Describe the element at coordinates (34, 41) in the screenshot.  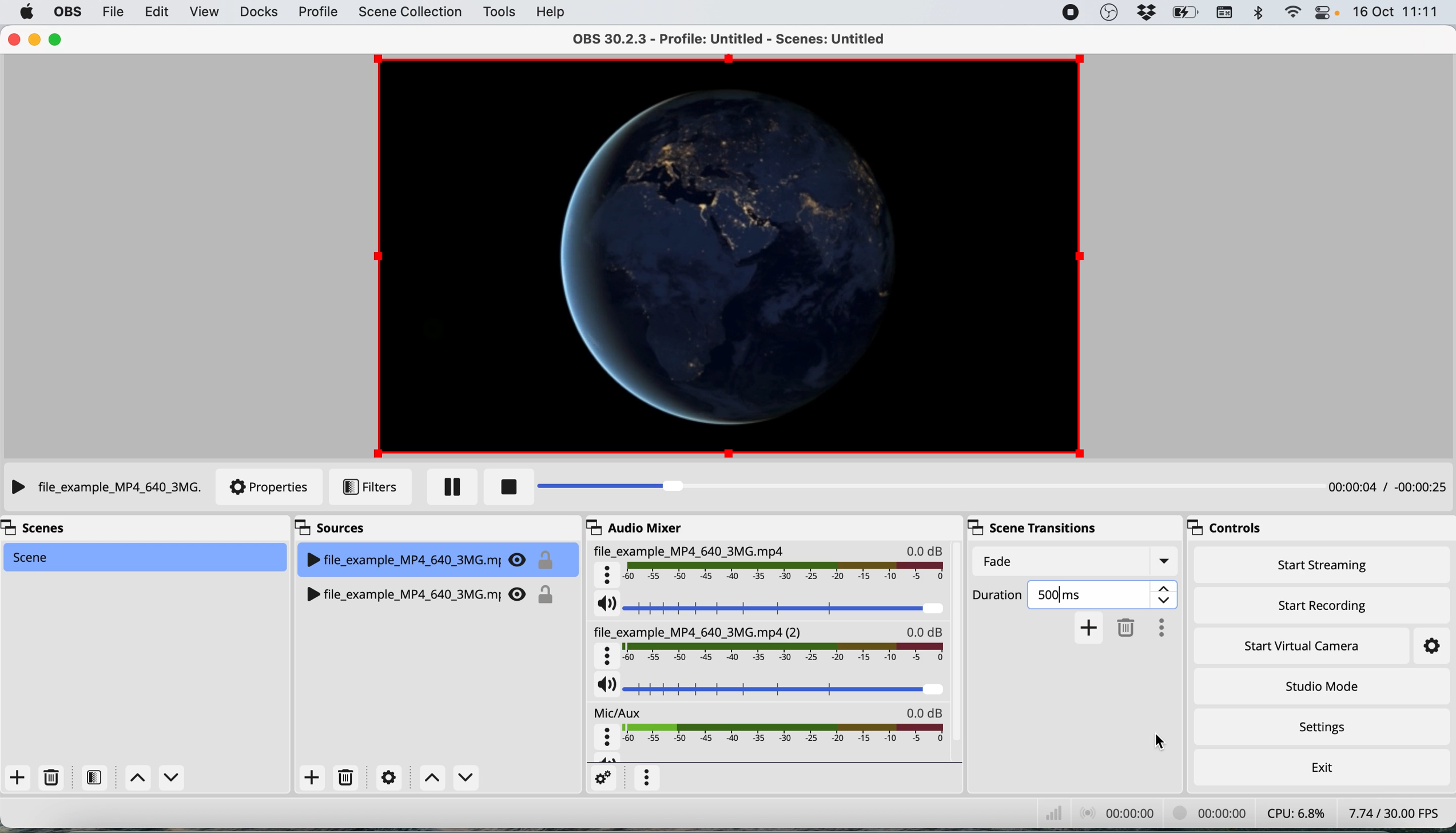
I see `minimise` at that location.